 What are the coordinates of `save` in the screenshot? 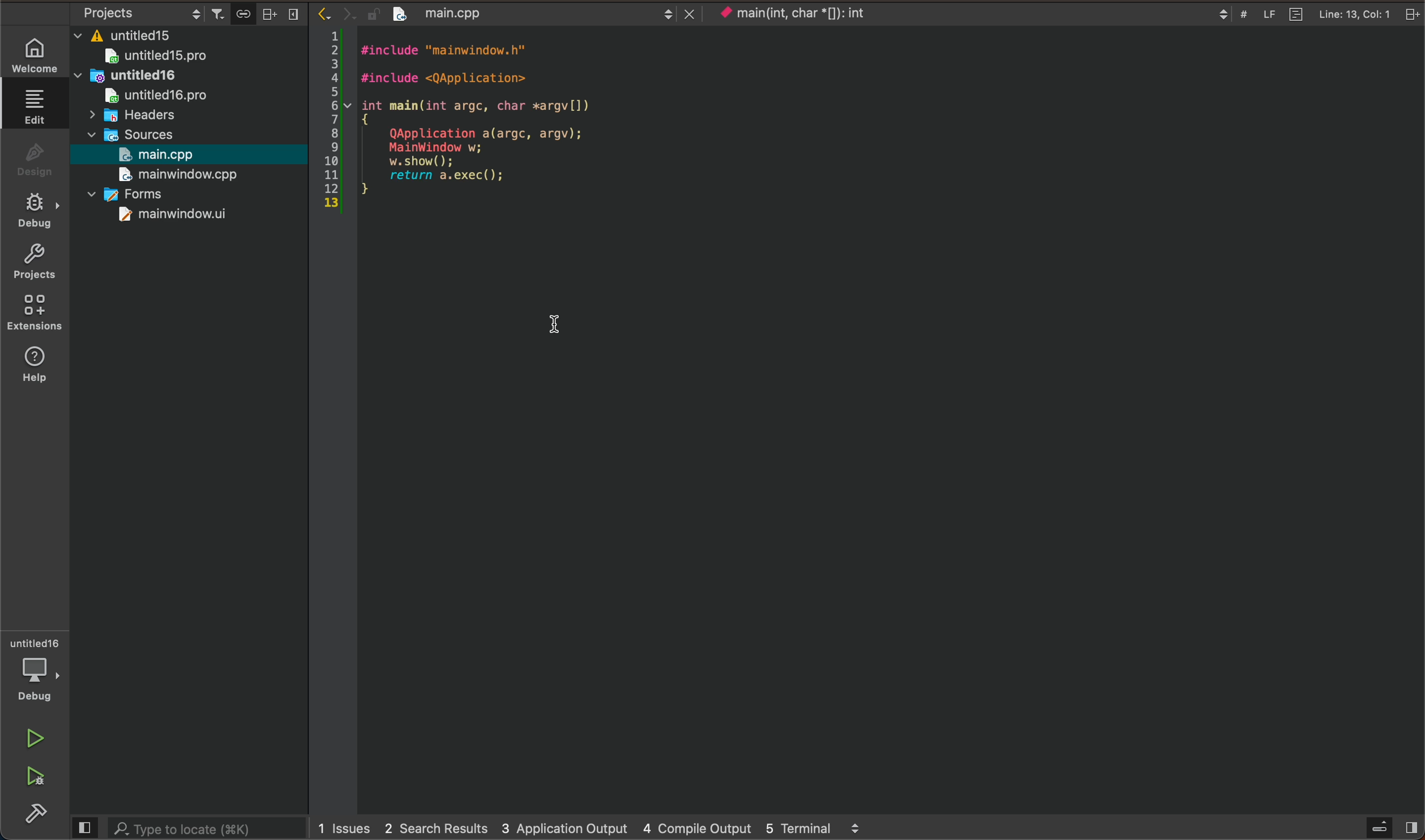 It's located at (243, 12).